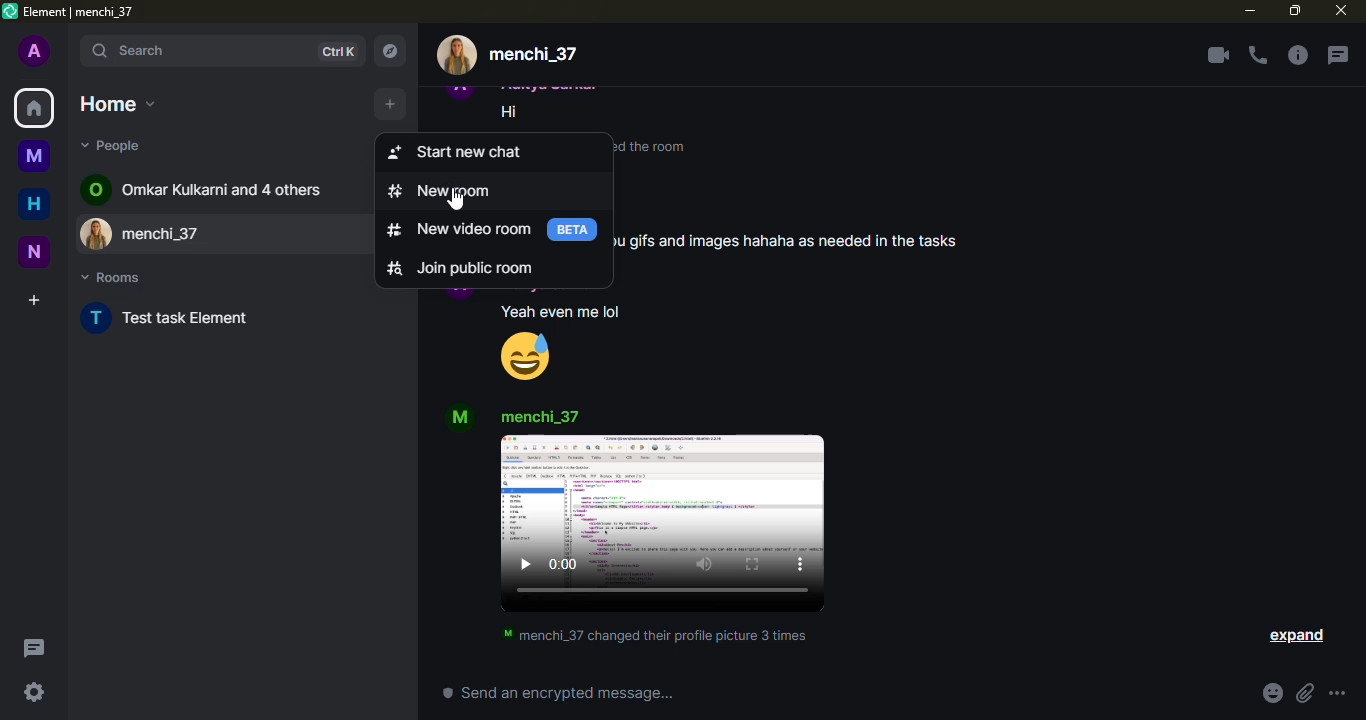 The image size is (1366, 720). What do you see at coordinates (188, 317) in the screenshot?
I see `Test task Element` at bounding box center [188, 317].